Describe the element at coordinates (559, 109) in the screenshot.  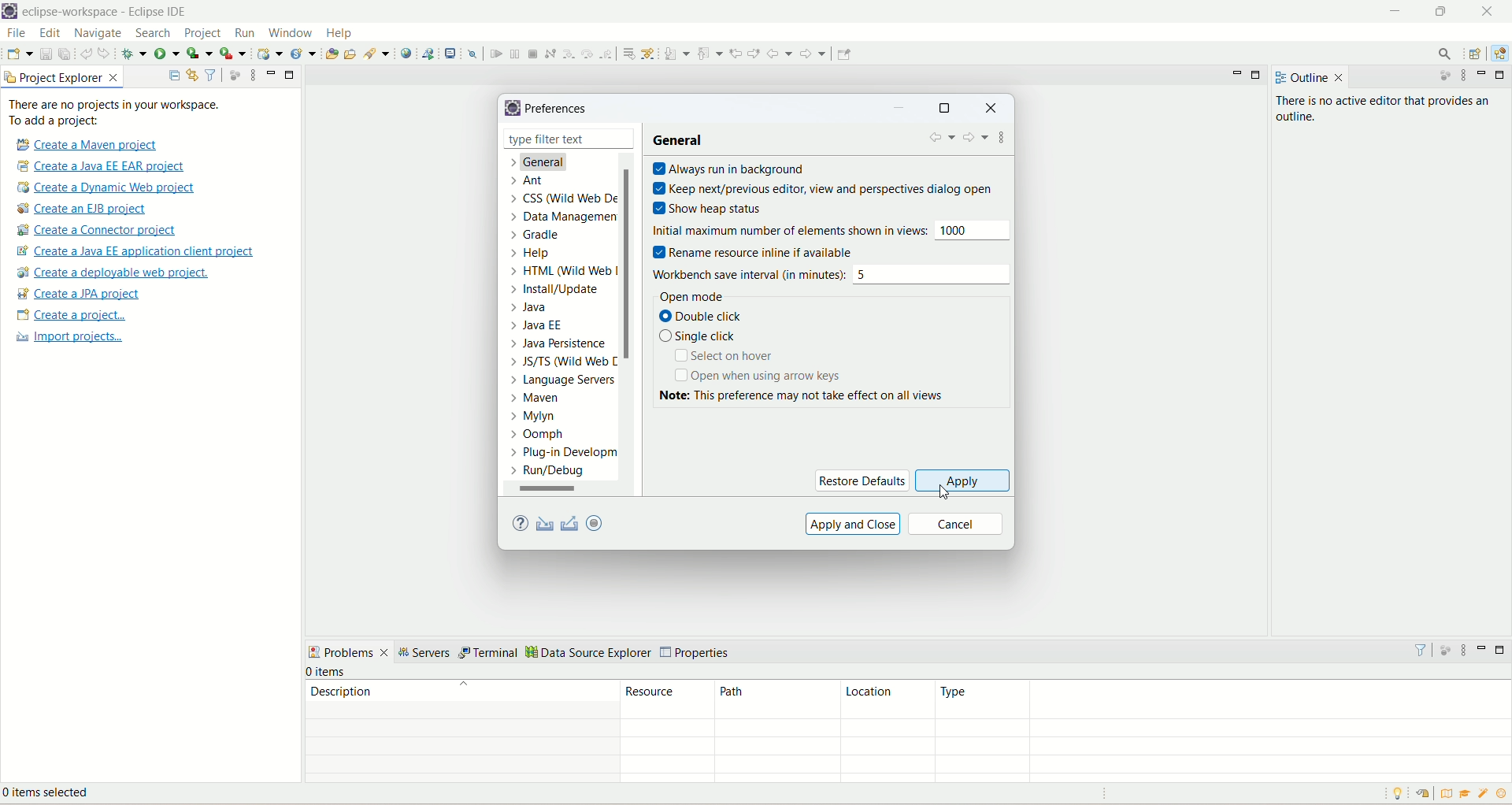
I see `preference` at that location.